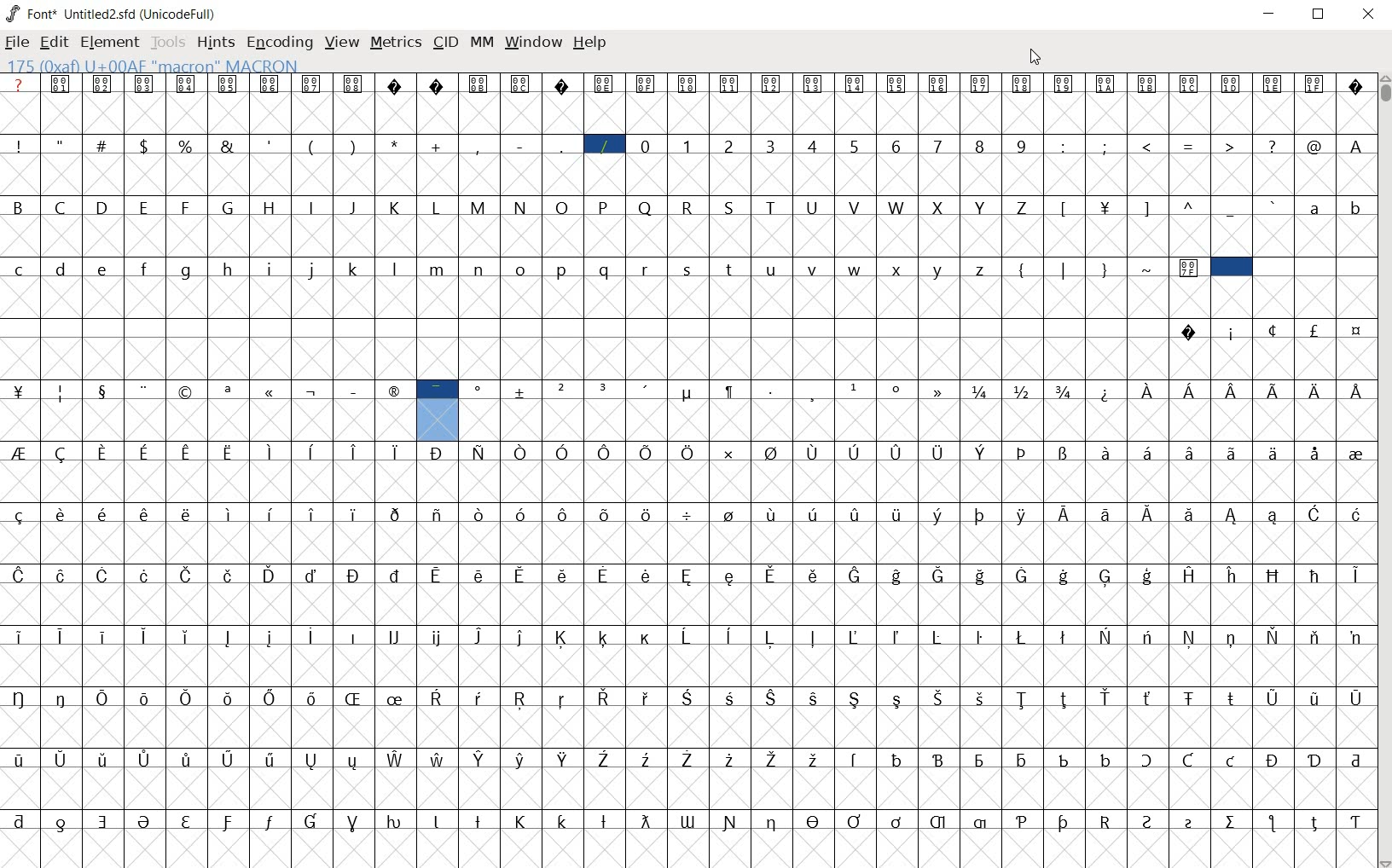 The image size is (1392, 868). What do you see at coordinates (1270, 350) in the screenshot?
I see `special characters` at bounding box center [1270, 350].